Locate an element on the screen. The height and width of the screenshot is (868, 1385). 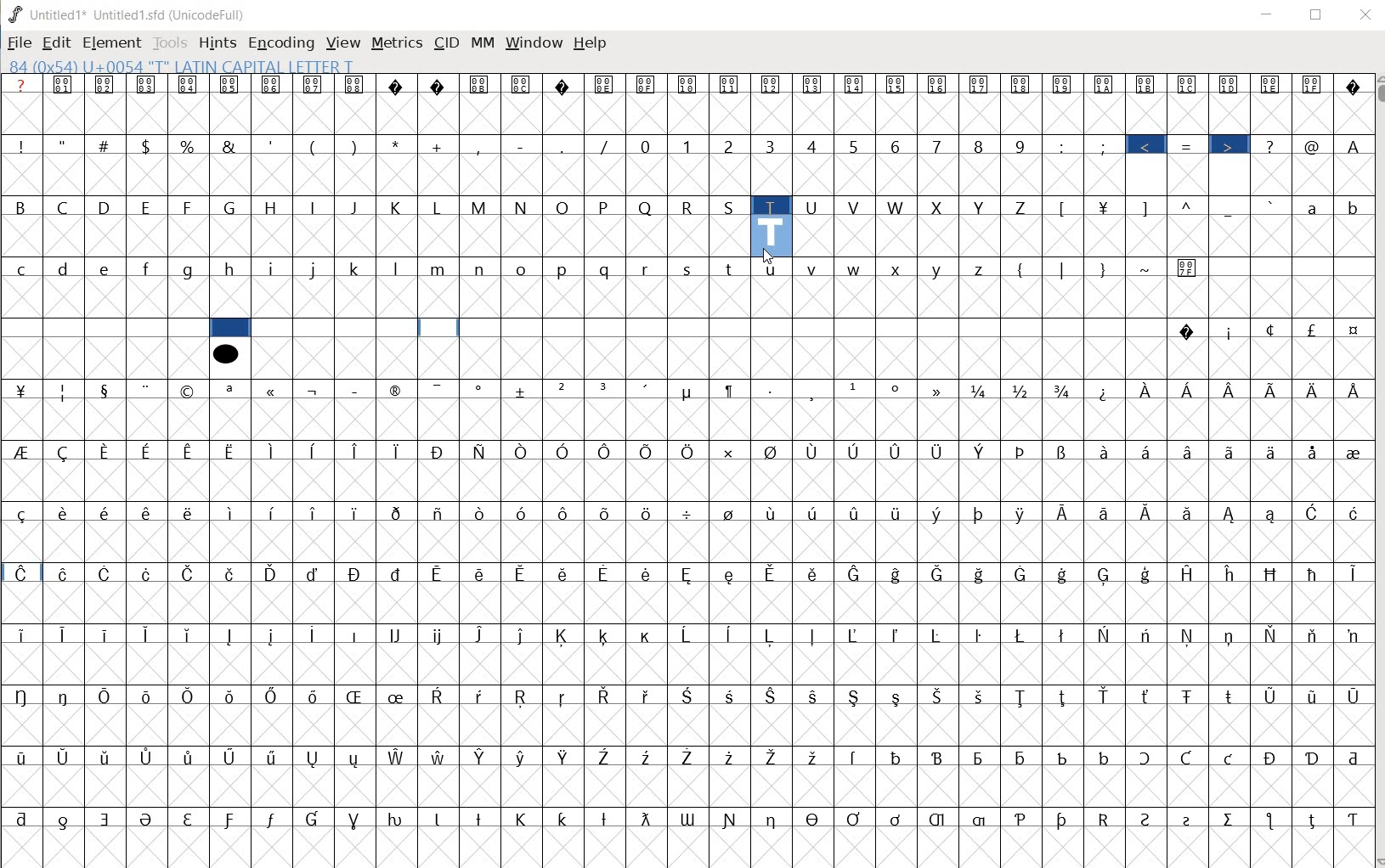
edit is located at coordinates (56, 42).